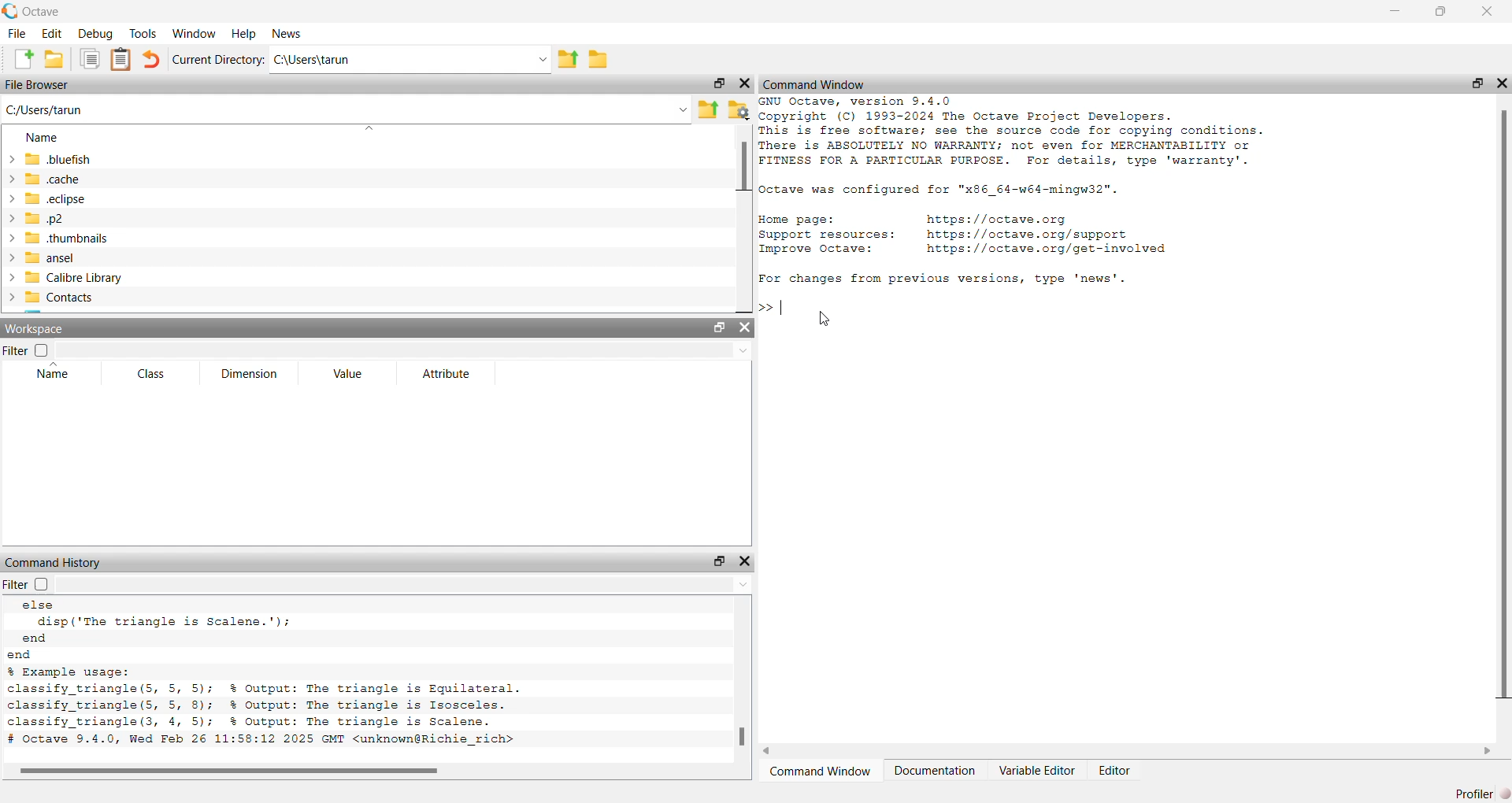 The width and height of the screenshot is (1512, 803). Describe the element at coordinates (14, 34) in the screenshot. I see `file` at that location.